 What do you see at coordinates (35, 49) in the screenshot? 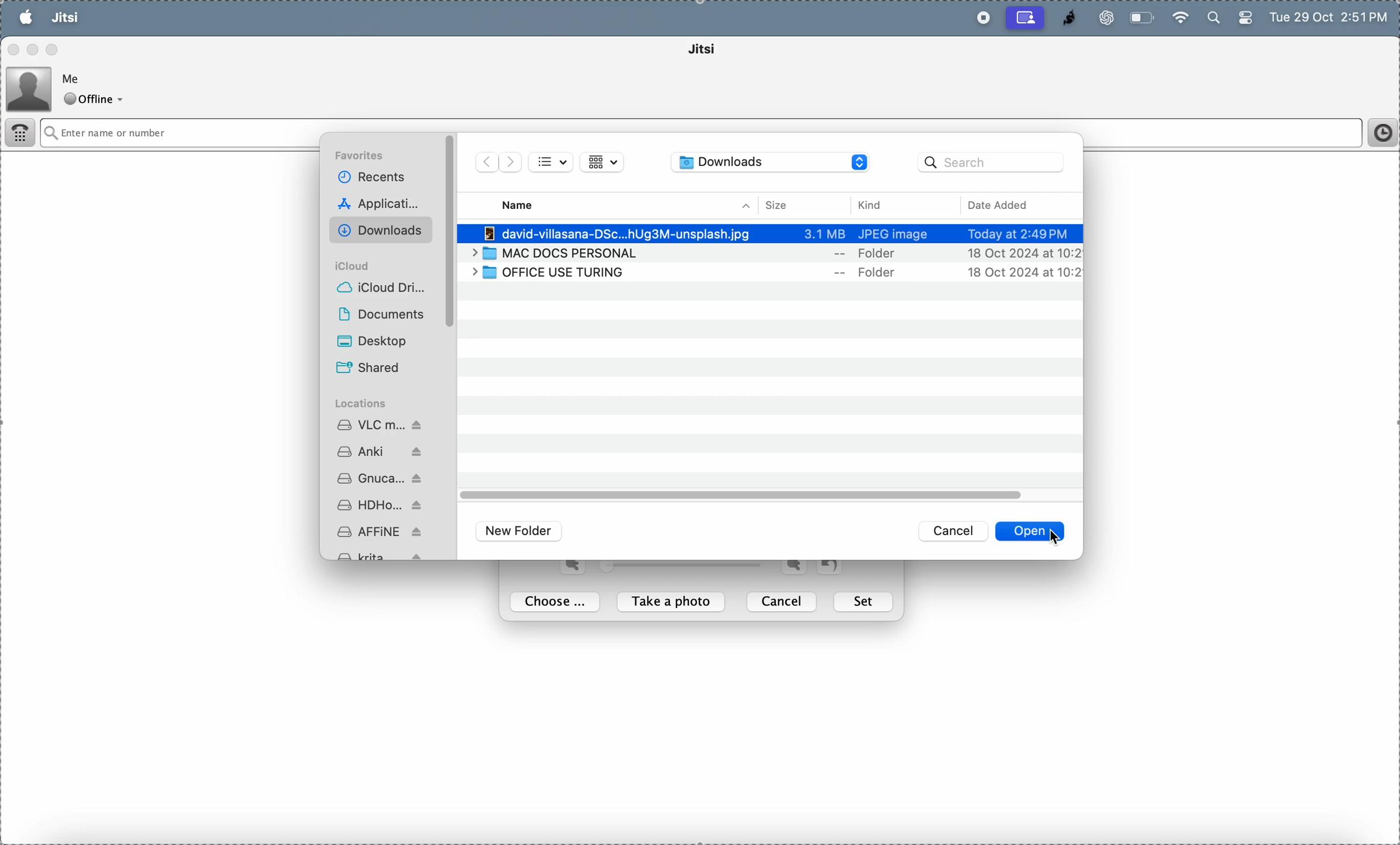
I see `minimize` at bounding box center [35, 49].